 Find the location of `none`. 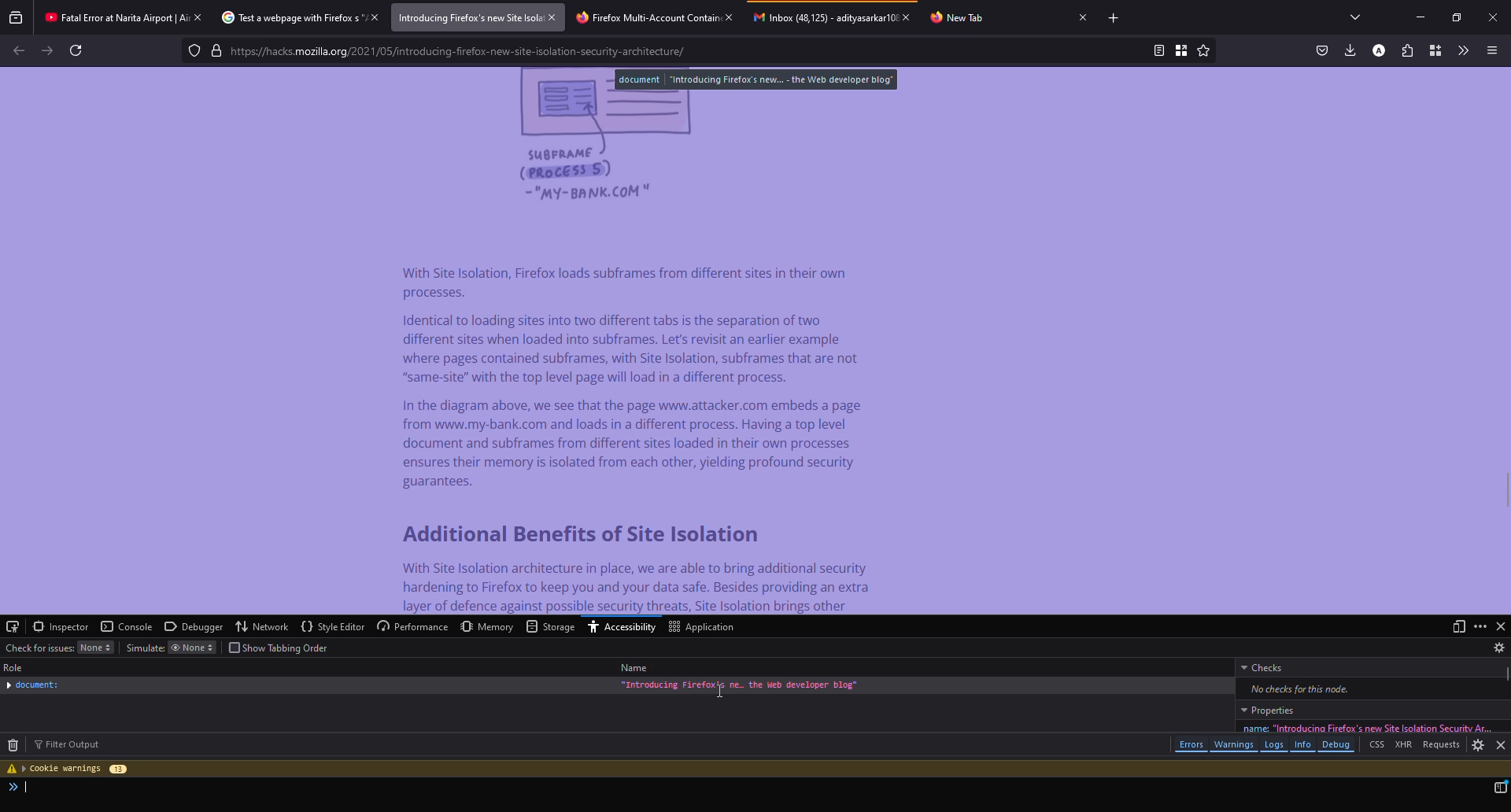

none is located at coordinates (192, 648).